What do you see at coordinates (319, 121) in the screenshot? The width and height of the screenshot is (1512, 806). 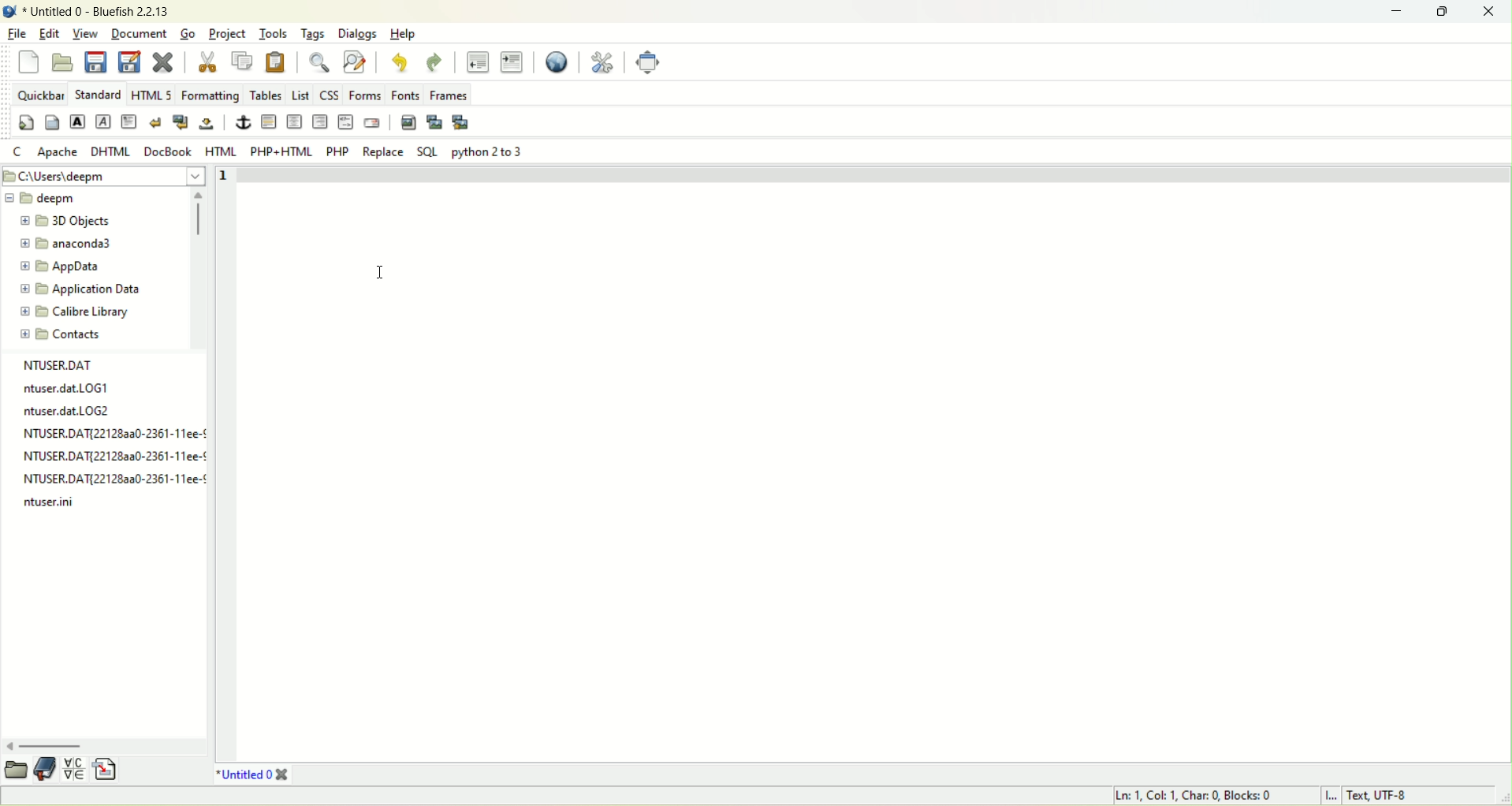 I see `center` at bounding box center [319, 121].